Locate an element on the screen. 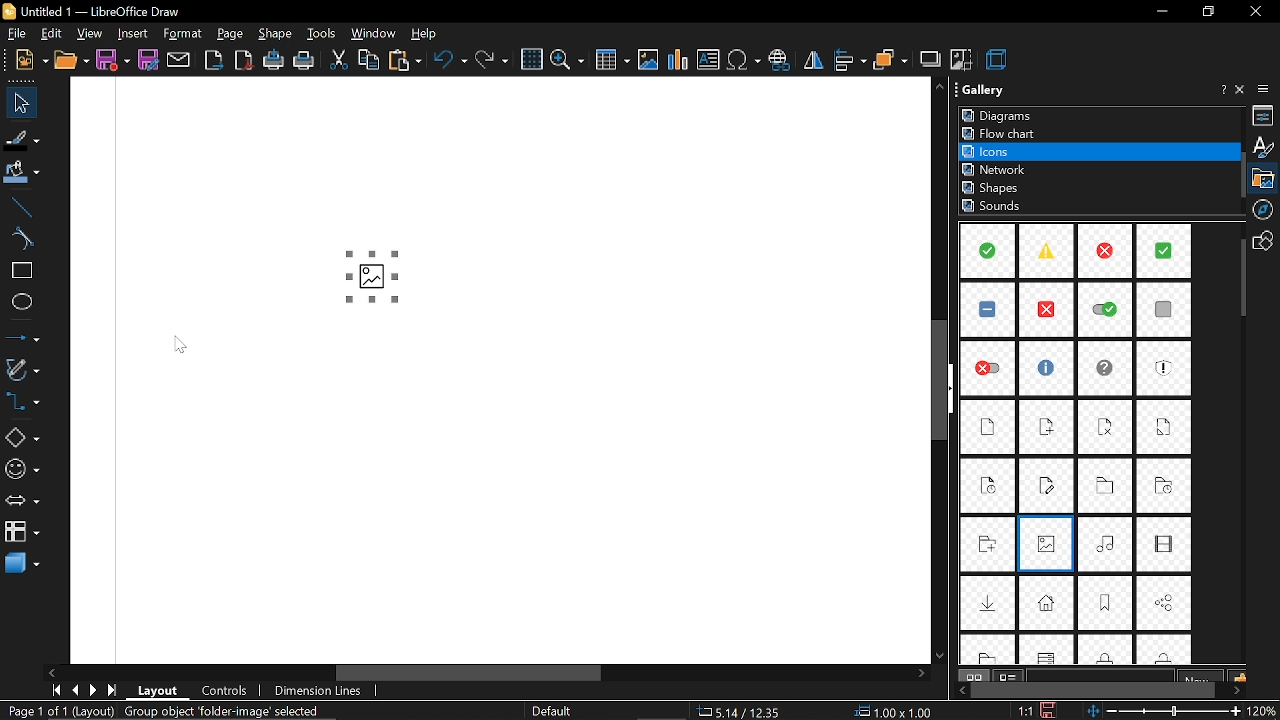  layout is located at coordinates (157, 692).